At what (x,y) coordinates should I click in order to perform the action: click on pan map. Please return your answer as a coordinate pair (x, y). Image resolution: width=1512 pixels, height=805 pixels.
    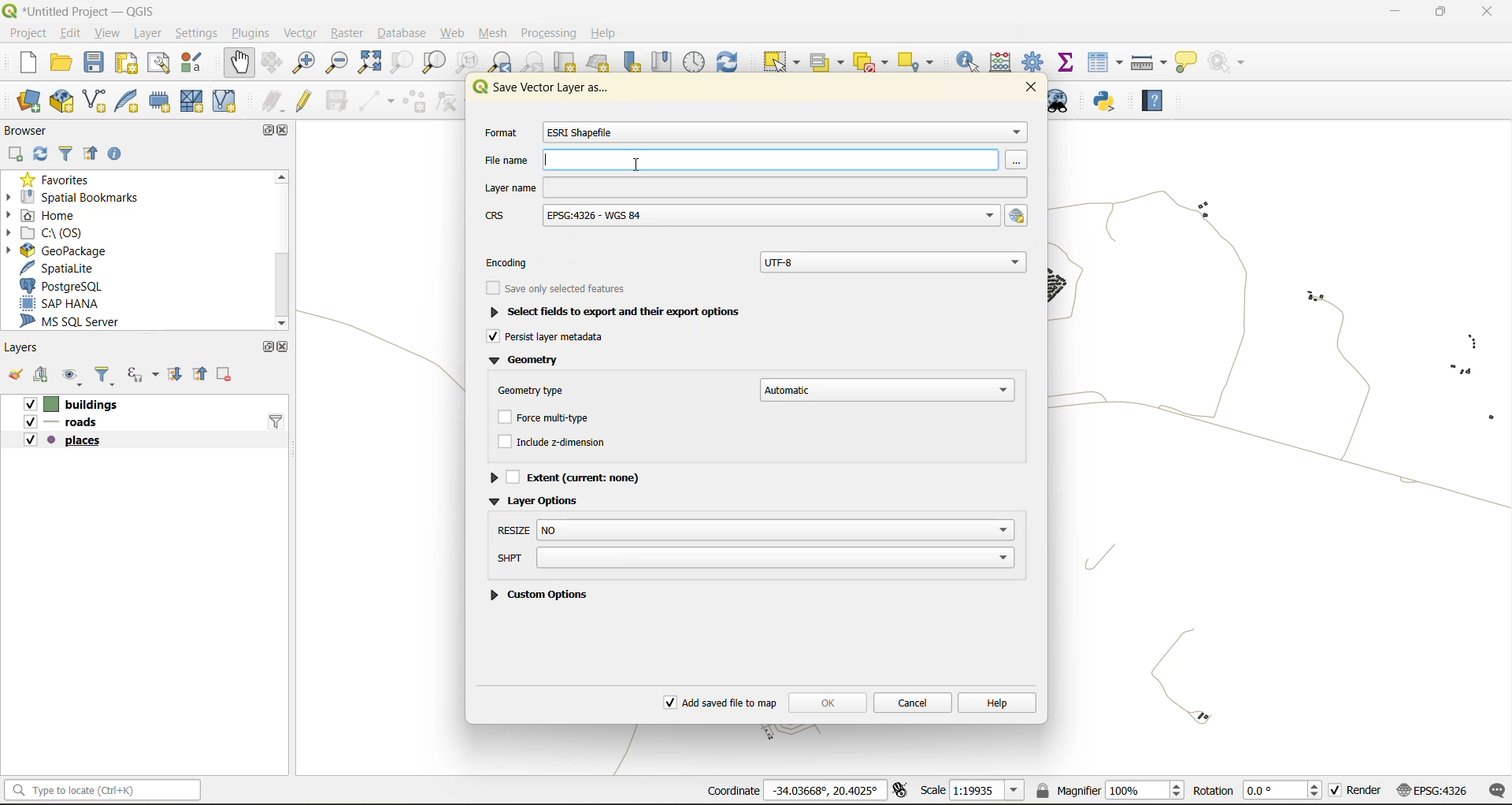
    Looking at the image, I should click on (242, 62).